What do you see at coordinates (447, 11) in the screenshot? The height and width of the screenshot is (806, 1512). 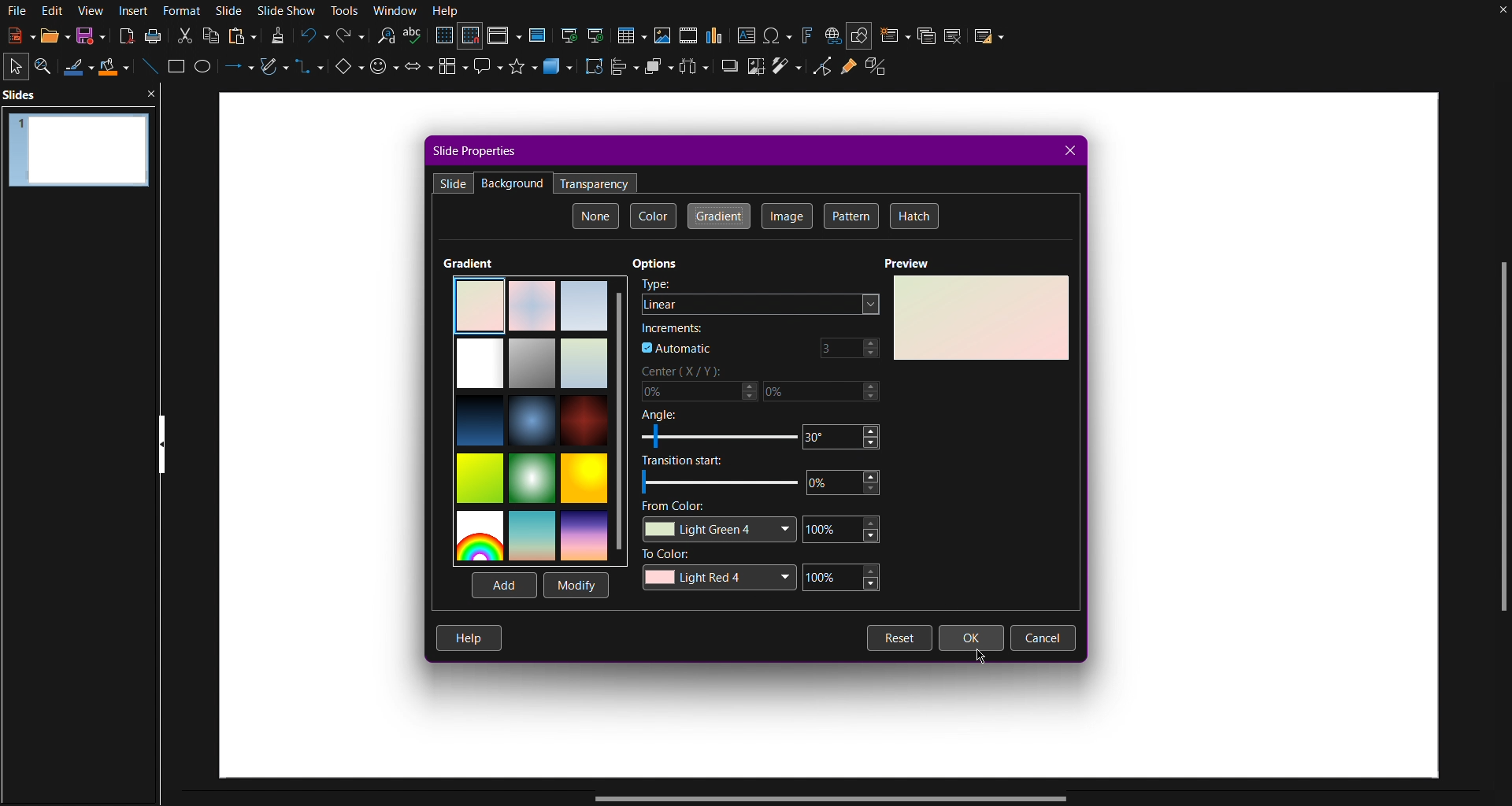 I see `Help` at bounding box center [447, 11].